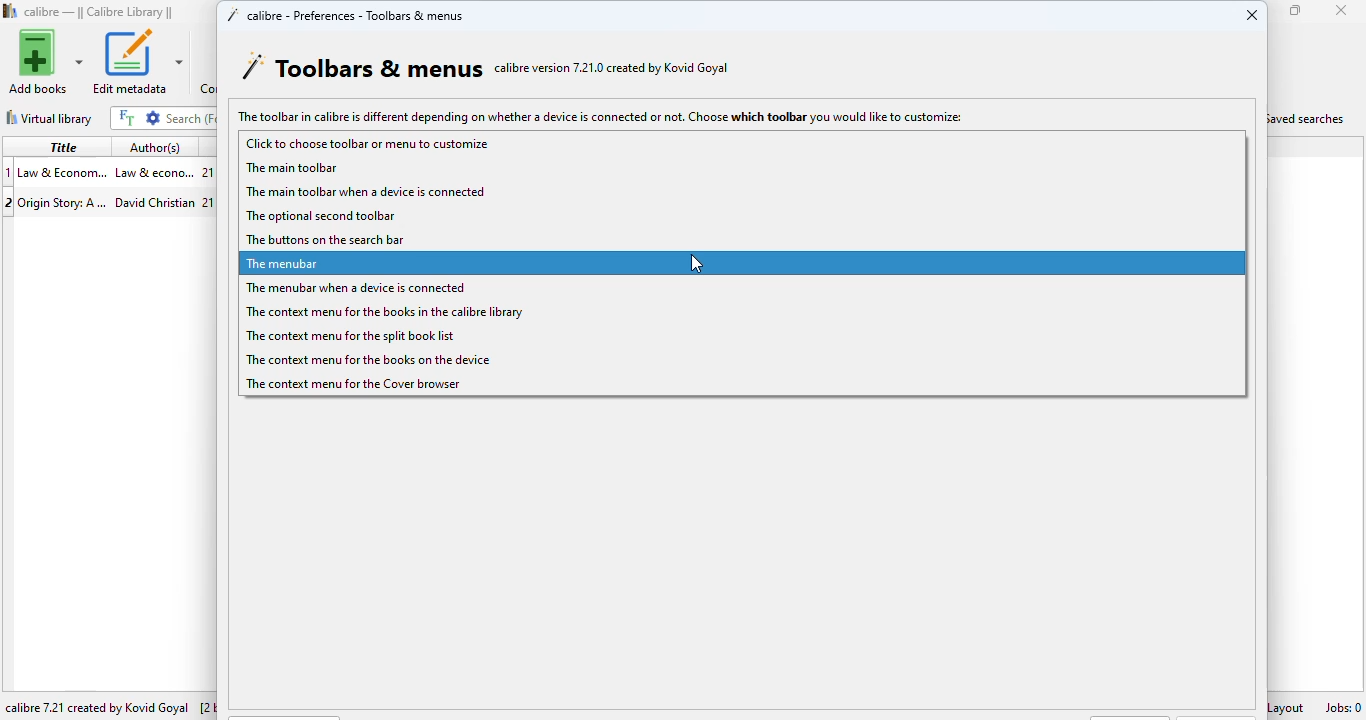  What do you see at coordinates (63, 146) in the screenshot?
I see `title` at bounding box center [63, 146].